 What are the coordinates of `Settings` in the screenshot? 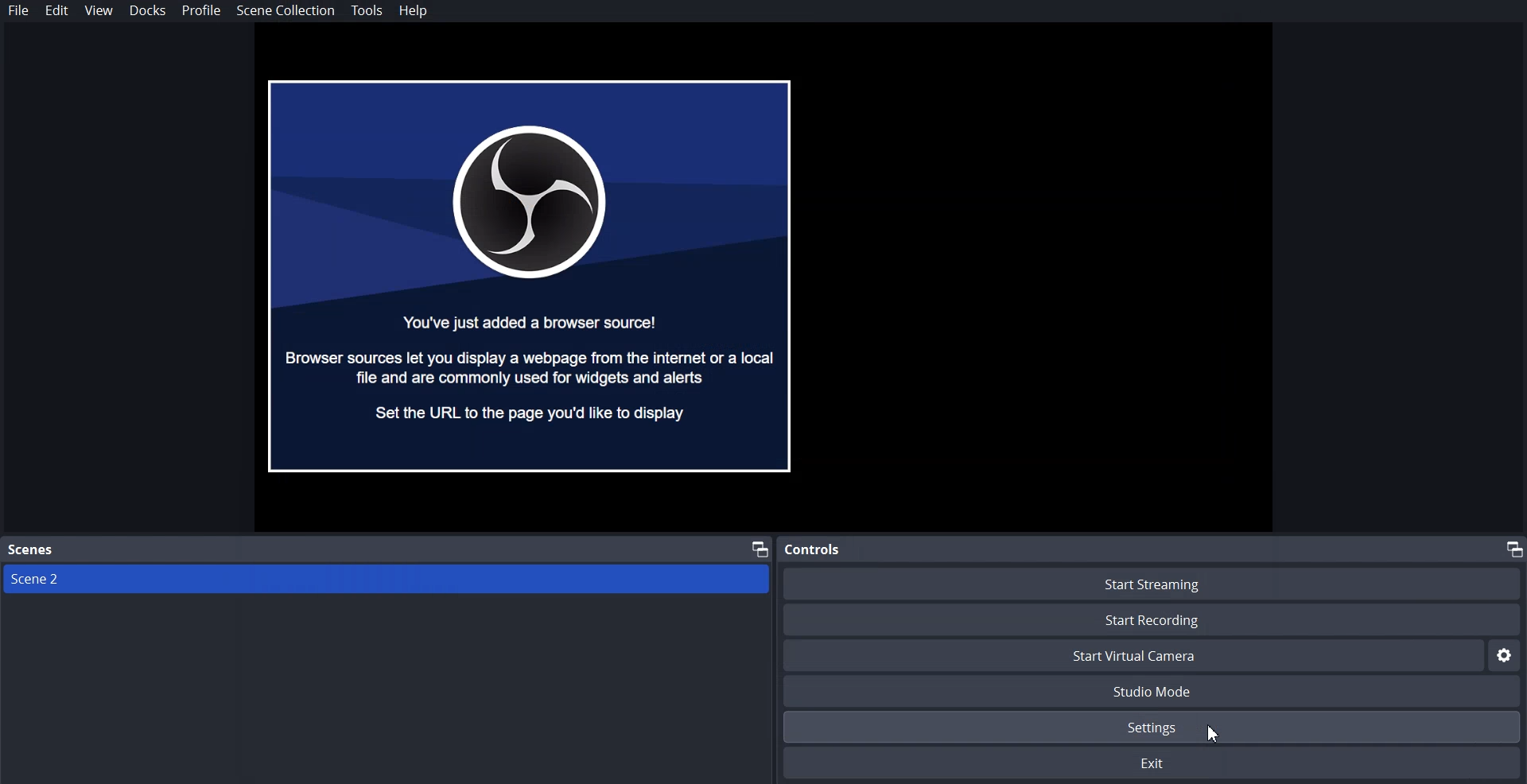 It's located at (1154, 727).